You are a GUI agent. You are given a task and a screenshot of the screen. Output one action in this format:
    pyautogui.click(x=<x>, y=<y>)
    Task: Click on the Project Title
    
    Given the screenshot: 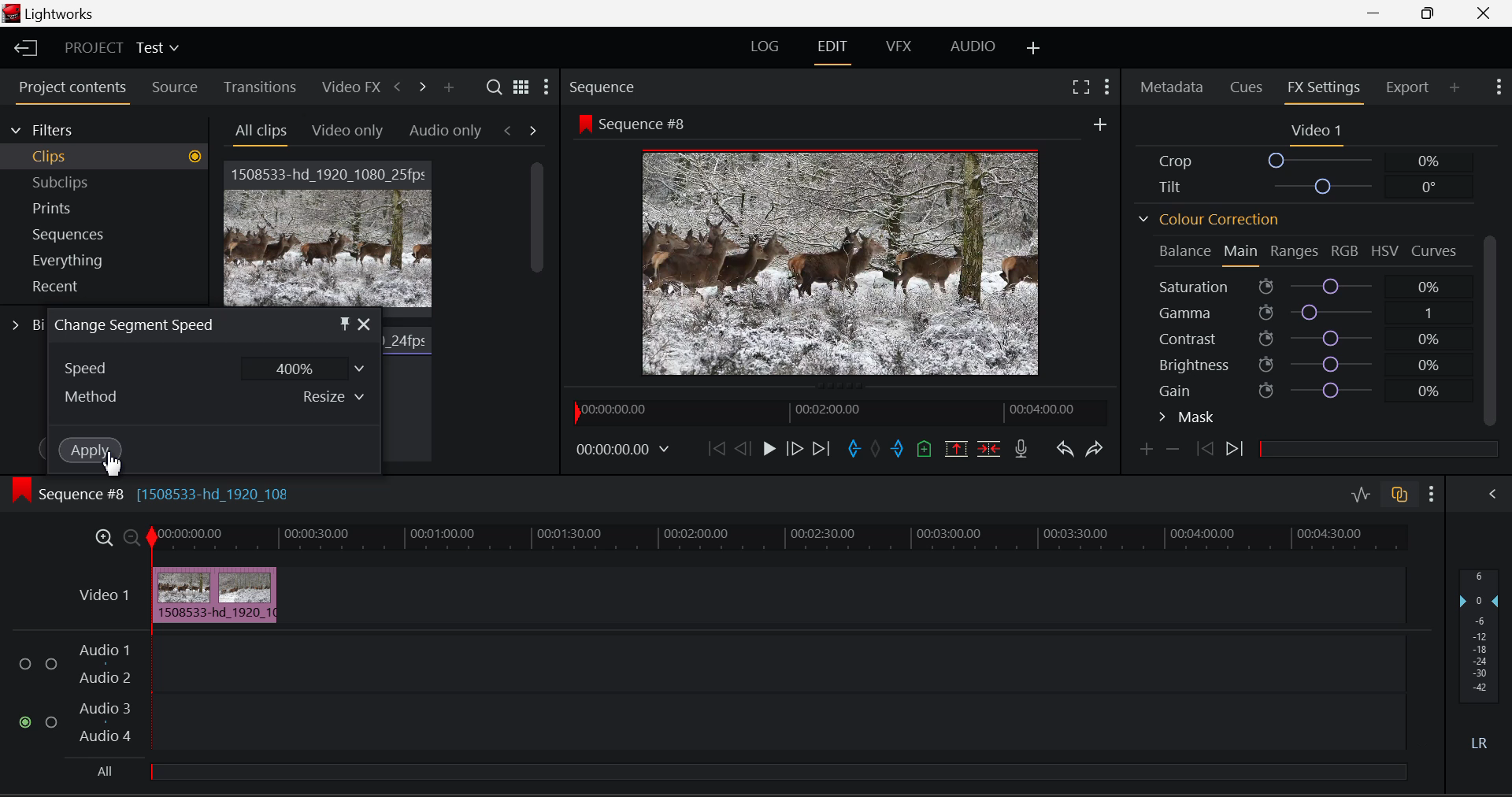 What is the action you would take?
    pyautogui.click(x=124, y=49)
    